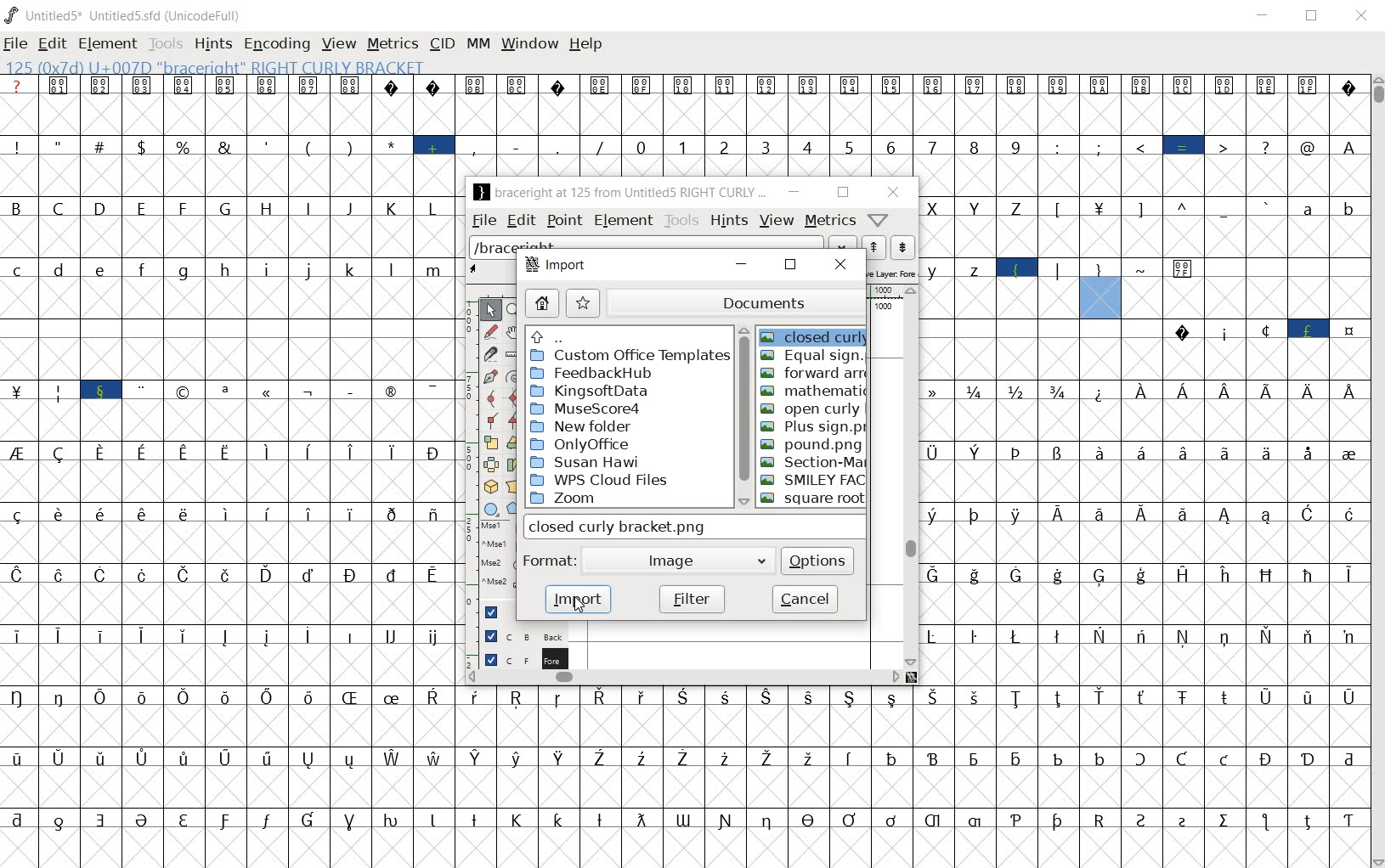 The image size is (1385, 868). Describe the element at coordinates (814, 392) in the screenshot. I see `mathematic` at that location.